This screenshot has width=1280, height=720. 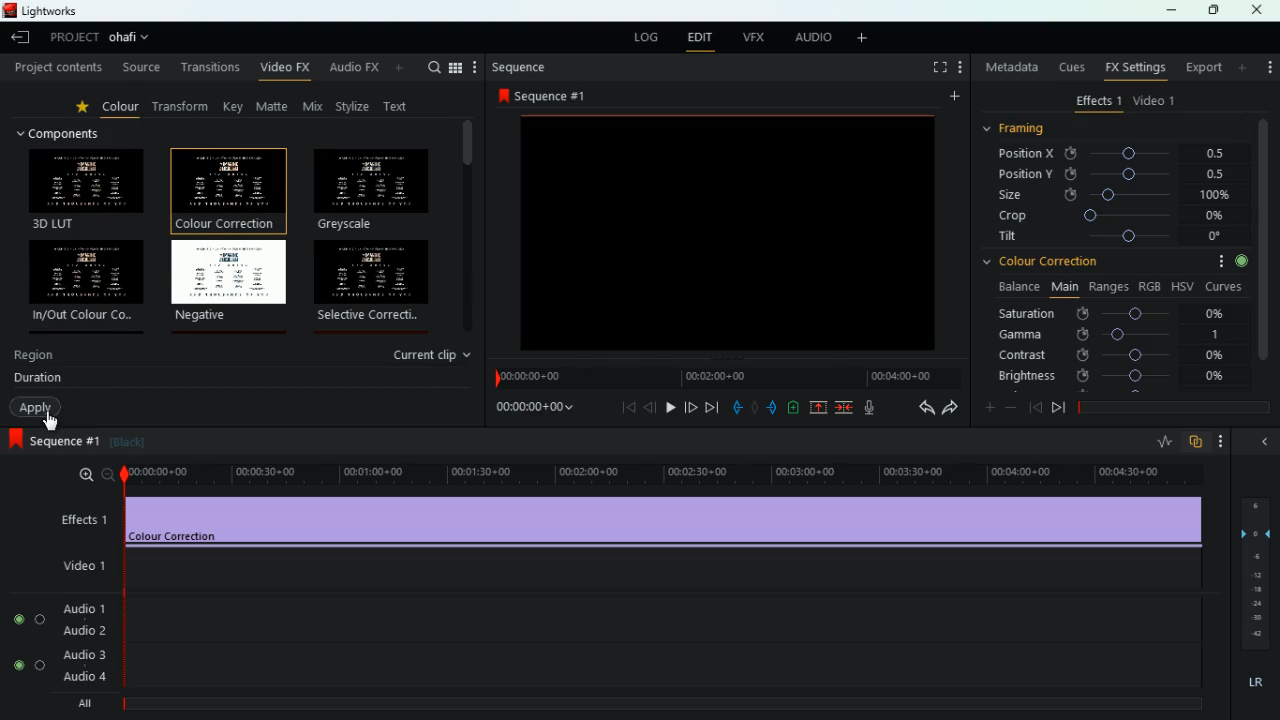 I want to click on advance, so click(x=688, y=406).